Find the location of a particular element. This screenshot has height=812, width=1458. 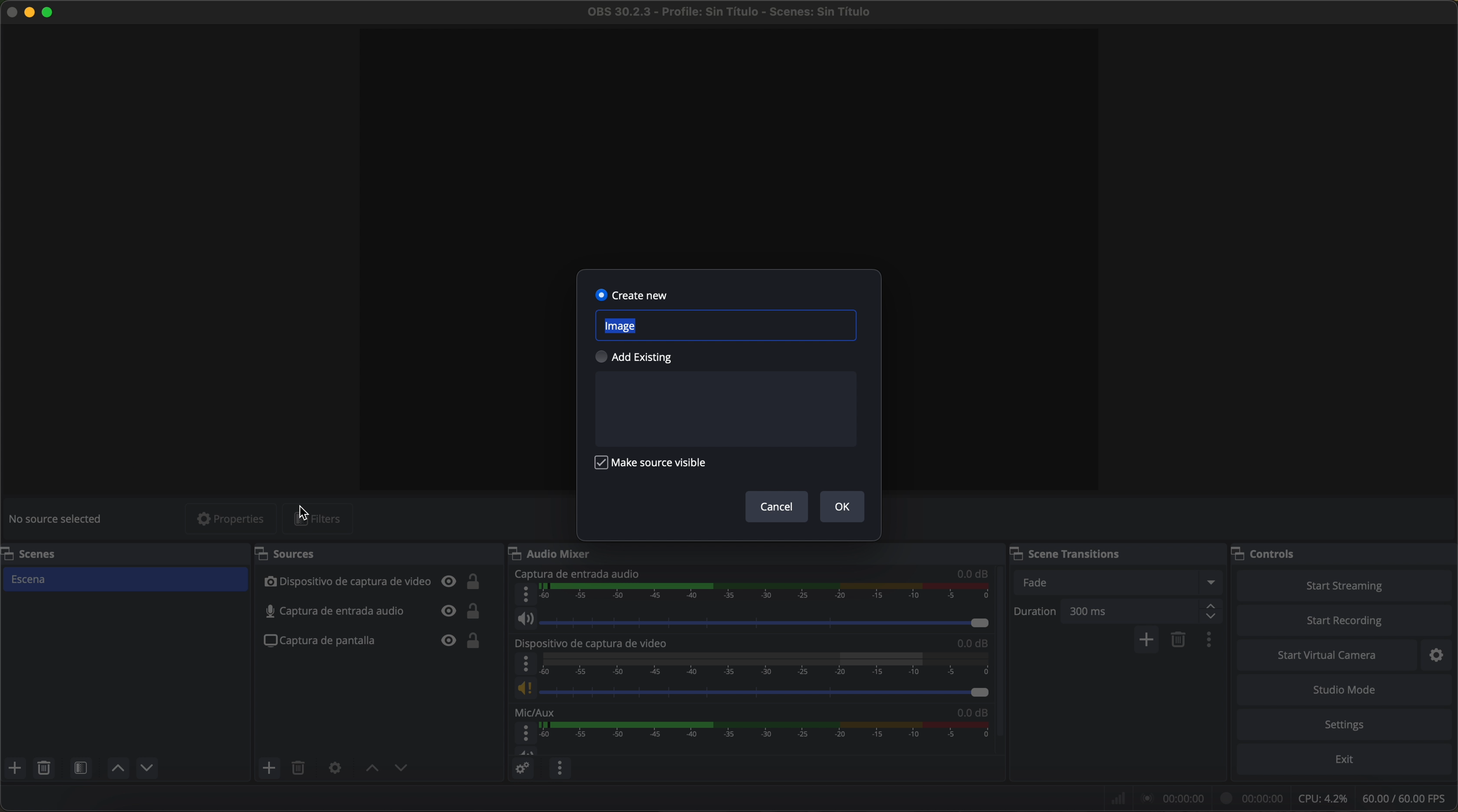

timeline is located at coordinates (769, 731).